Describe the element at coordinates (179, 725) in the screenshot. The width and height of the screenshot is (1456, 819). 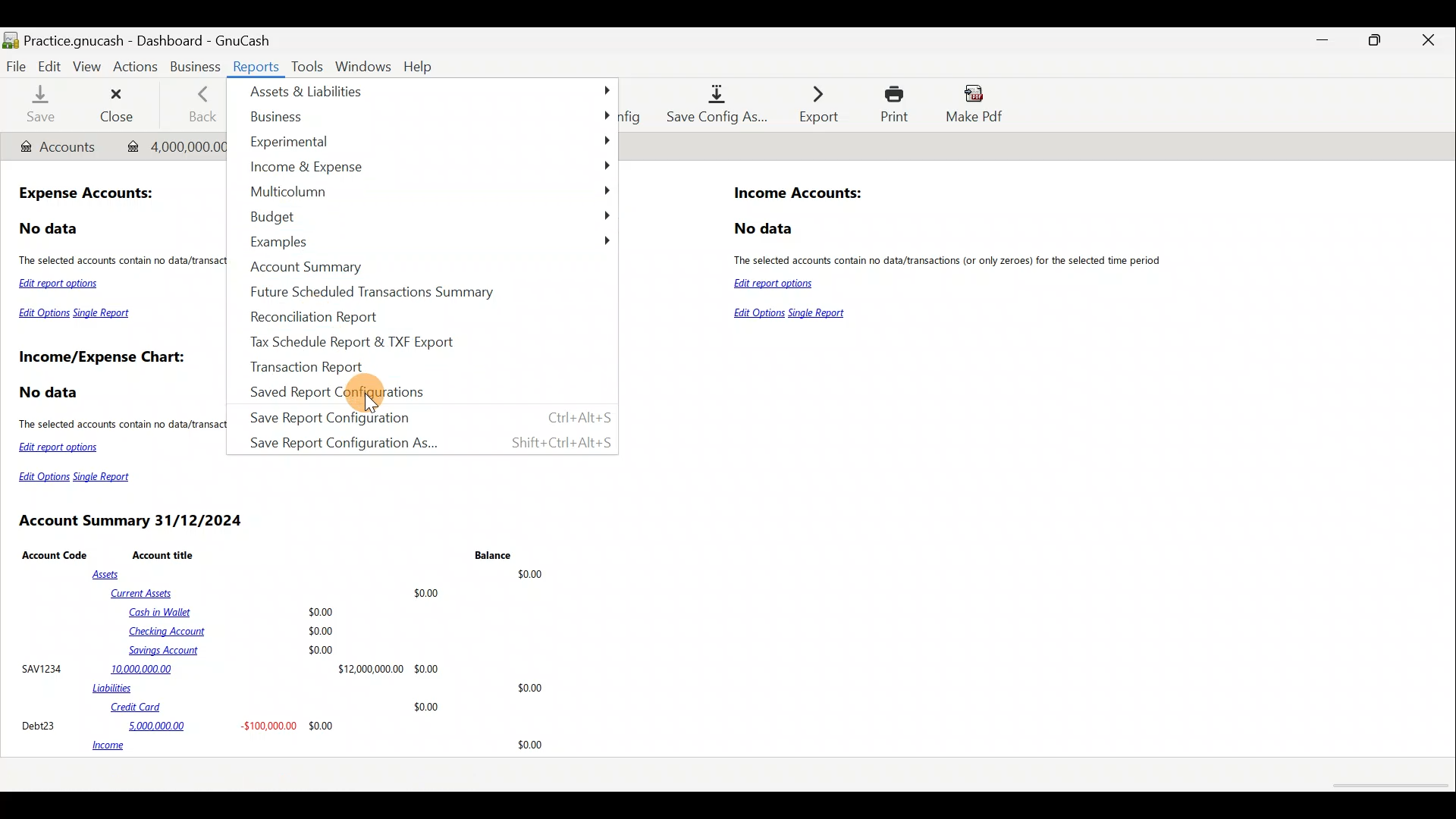
I see `Debt23 5,000,000.00 -$100,000.00 $0.00` at that location.